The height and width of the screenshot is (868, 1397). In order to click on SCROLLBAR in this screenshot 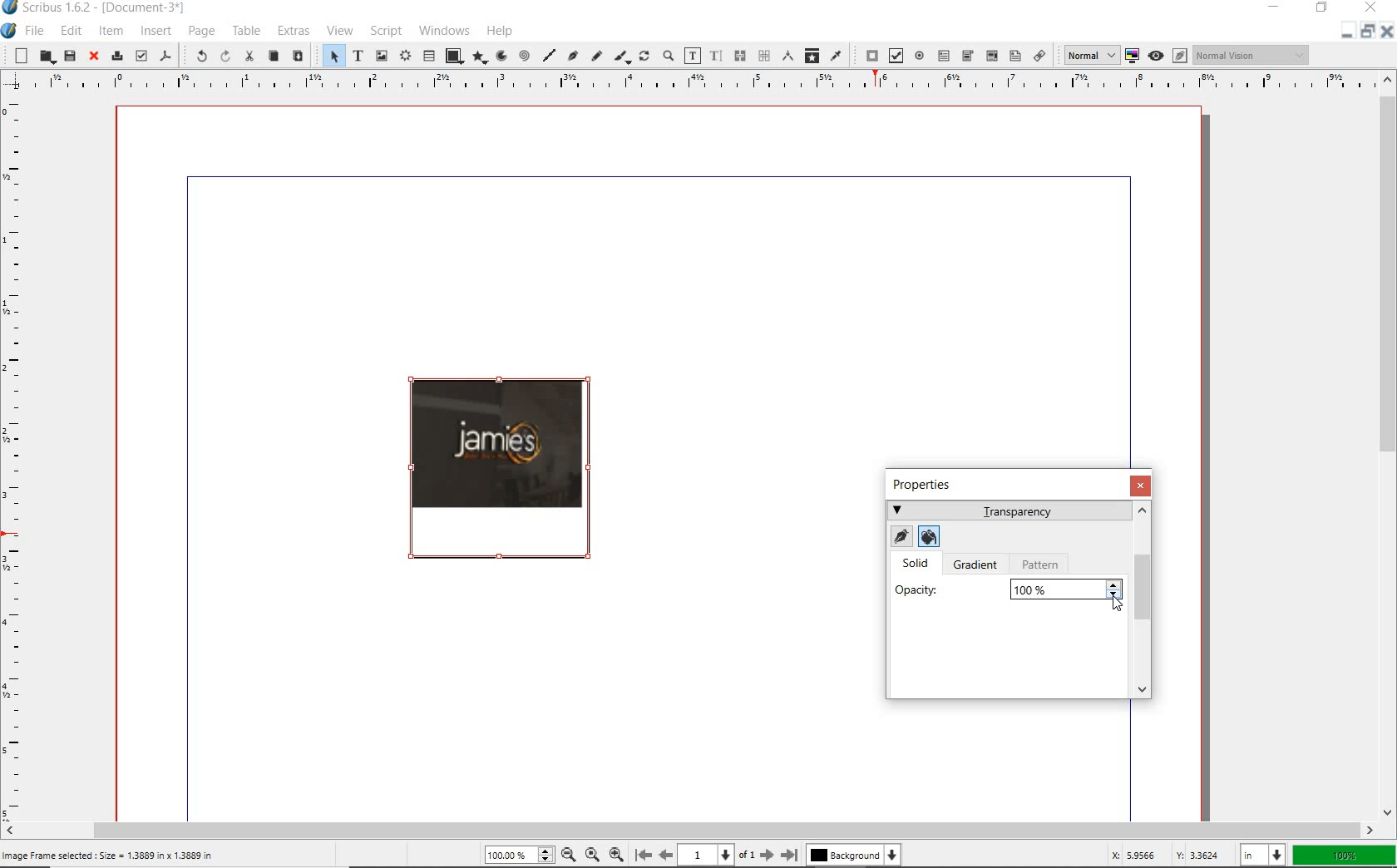, I will do `click(1145, 600)`.